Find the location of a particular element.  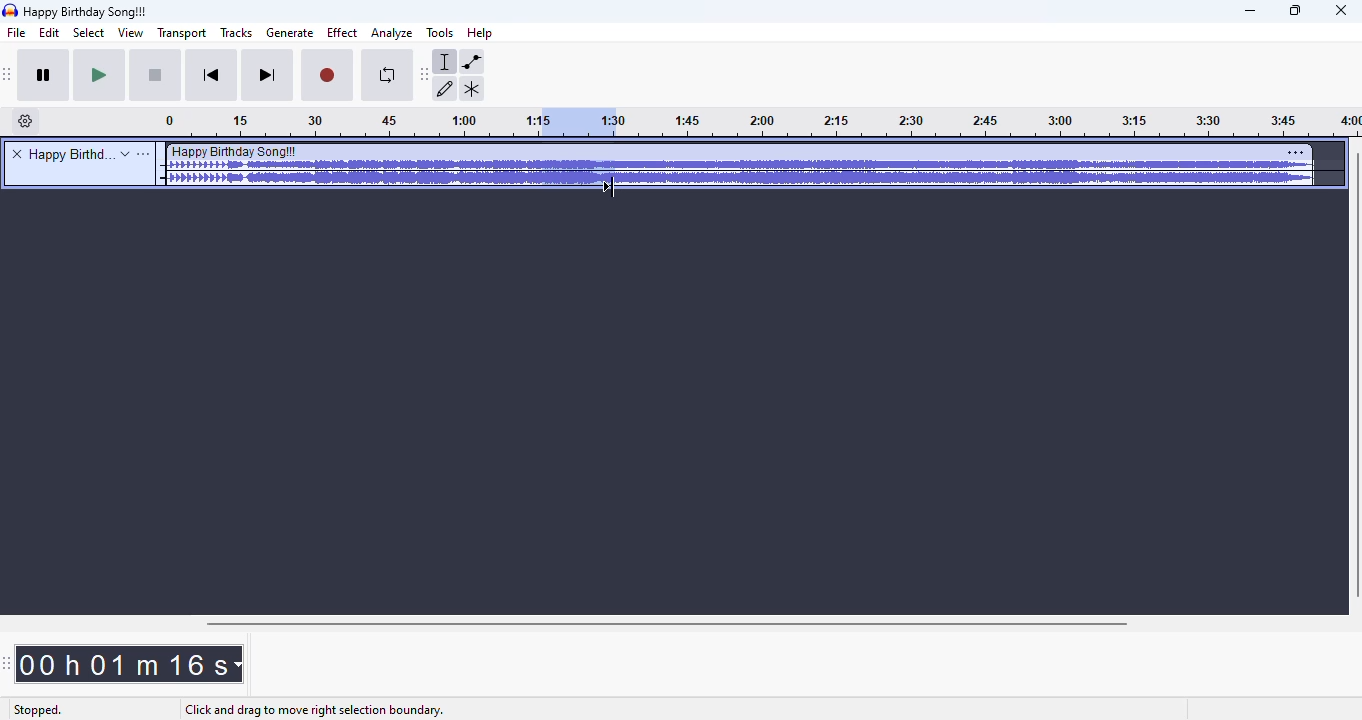

open menu is located at coordinates (144, 154).